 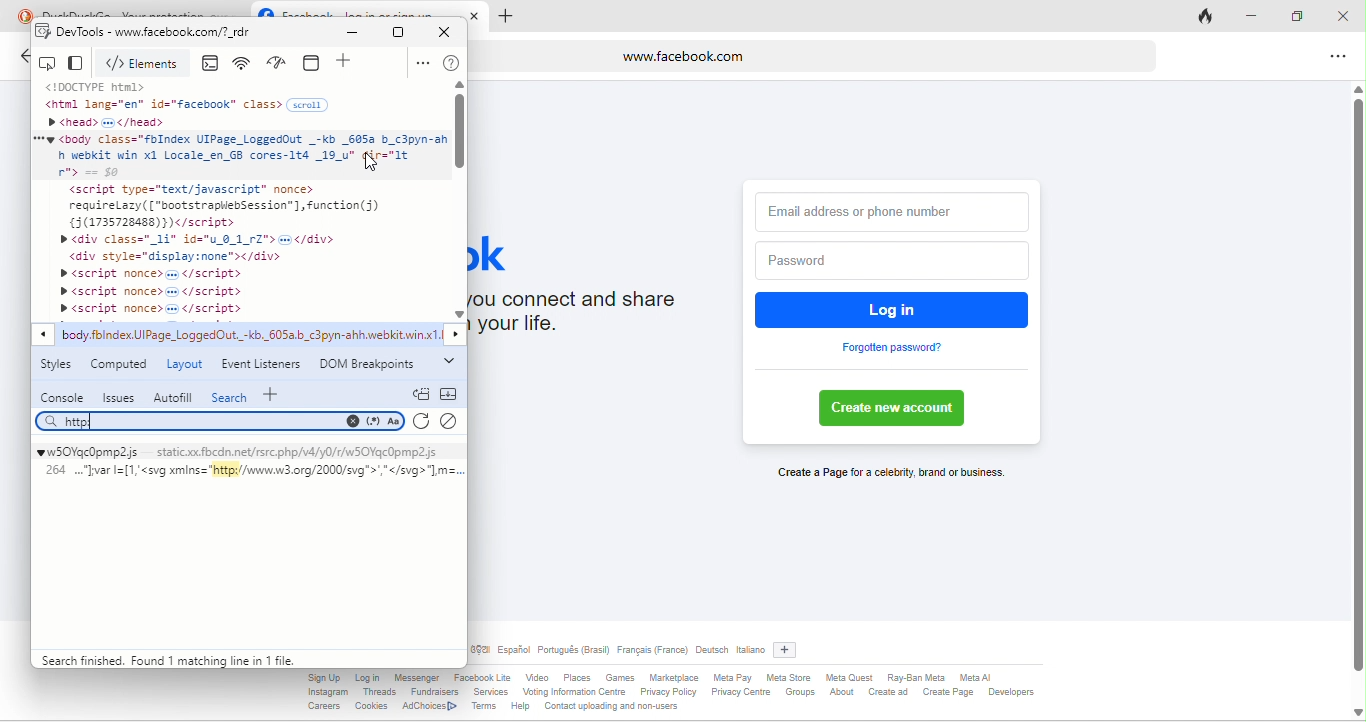 I want to click on password, so click(x=888, y=261).